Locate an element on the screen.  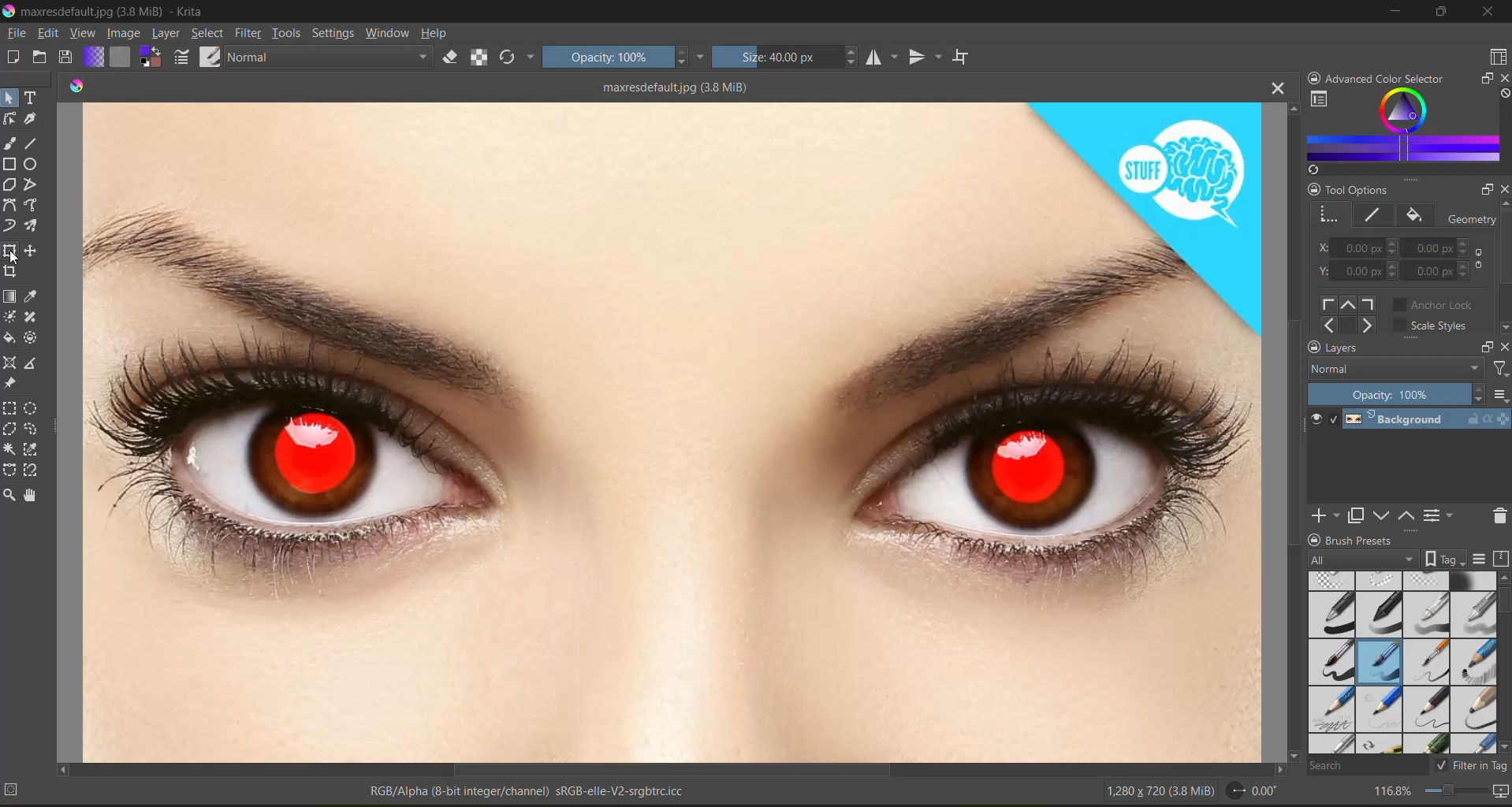
horizontal scroll bar is located at coordinates (672, 768).